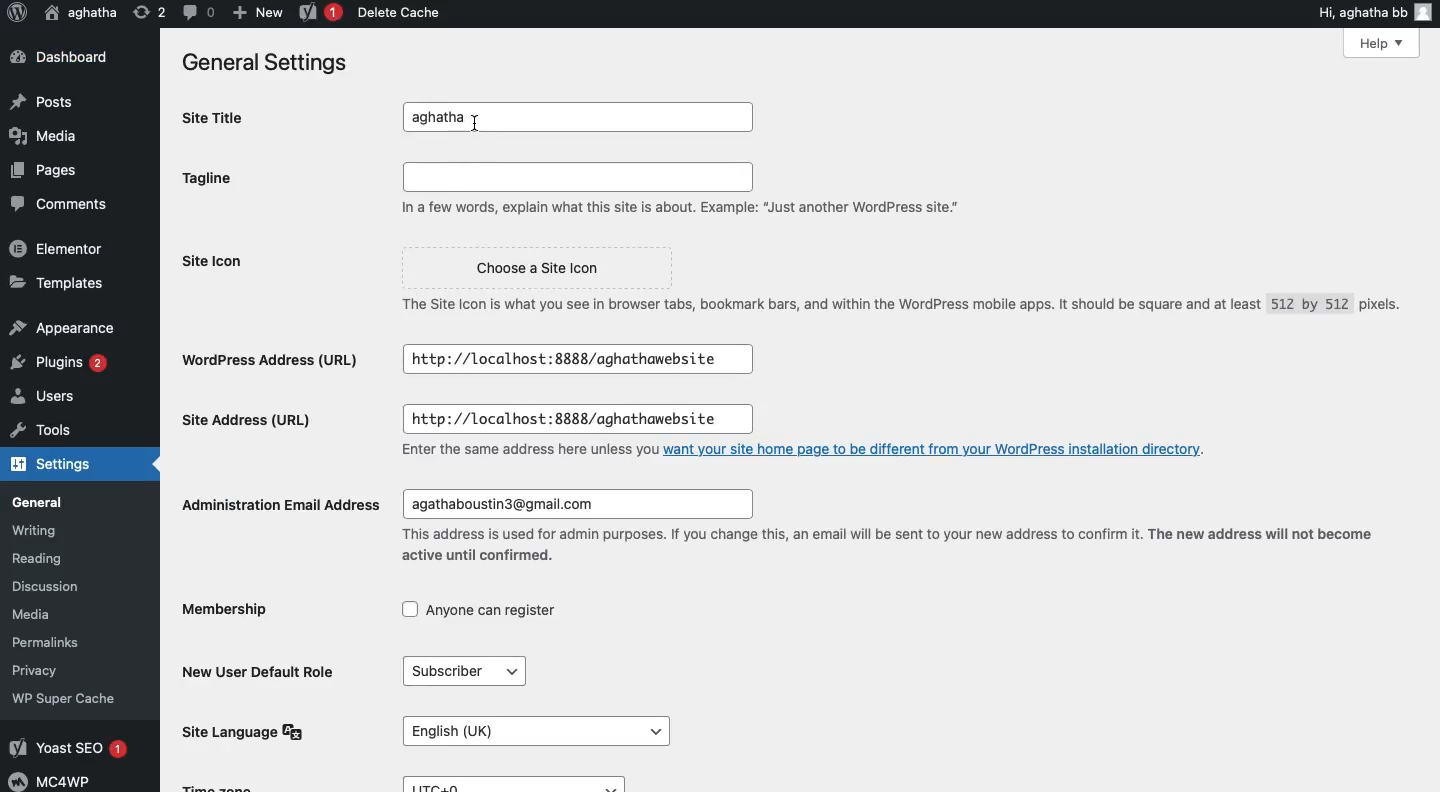 The width and height of the screenshot is (1440, 792). I want to click on http://localhost:8888/aghathawebsite, so click(579, 419).